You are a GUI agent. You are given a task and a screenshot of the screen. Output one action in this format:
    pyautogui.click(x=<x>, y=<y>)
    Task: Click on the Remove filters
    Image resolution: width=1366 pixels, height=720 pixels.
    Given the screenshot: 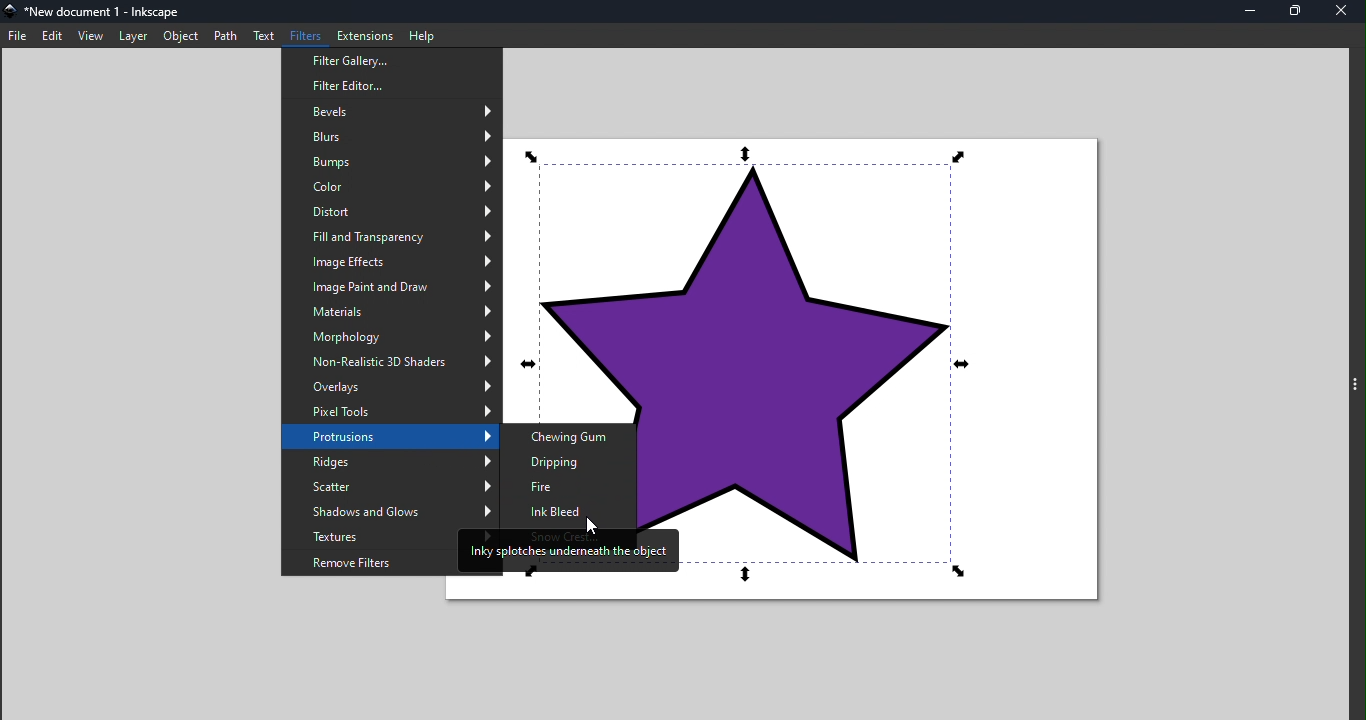 What is the action you would take?
    pyautogui.click(x=364, y=564)
    